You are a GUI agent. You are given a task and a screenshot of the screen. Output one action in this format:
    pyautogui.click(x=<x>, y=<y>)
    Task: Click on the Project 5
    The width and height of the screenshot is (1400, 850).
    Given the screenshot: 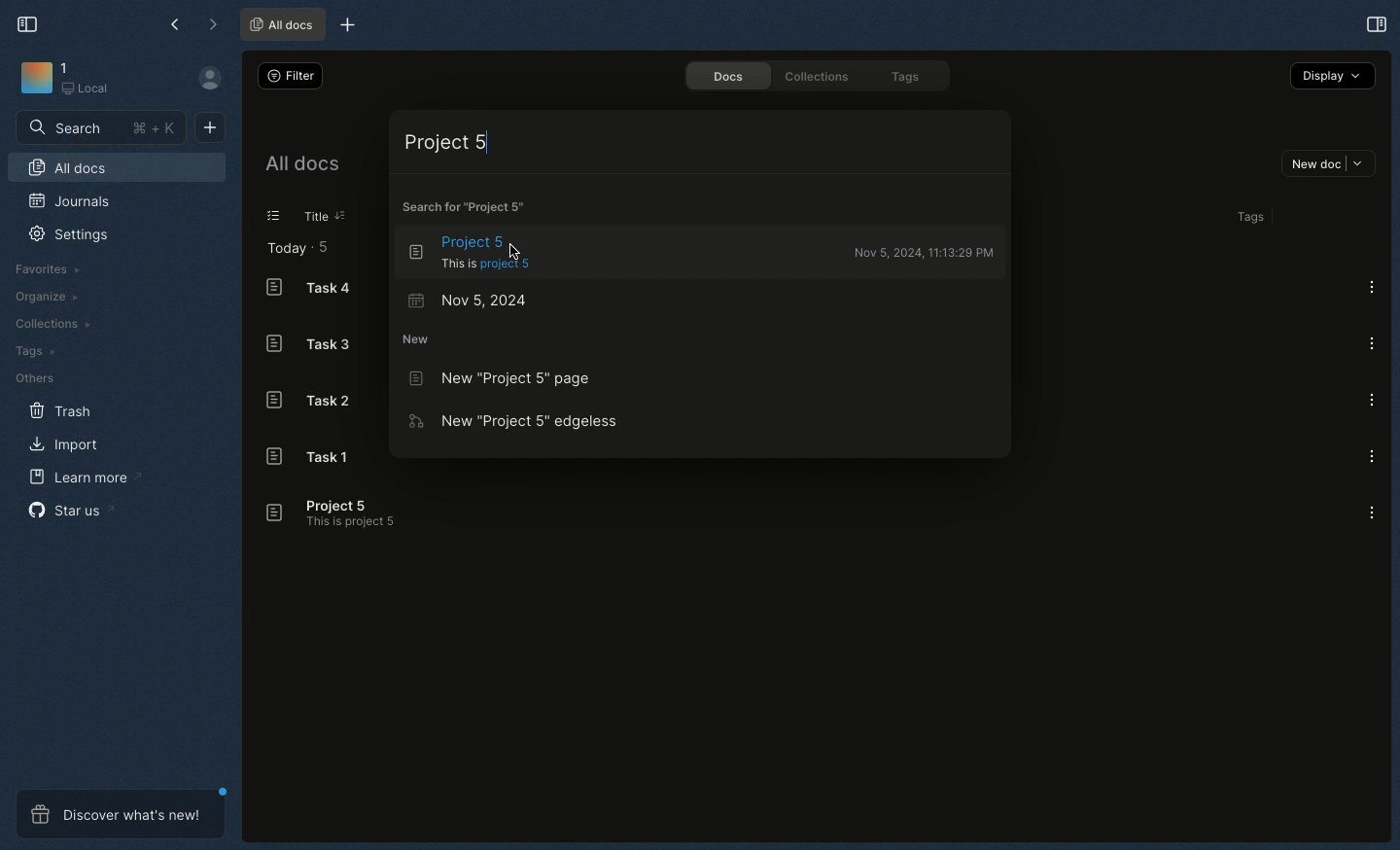 What is the action you would take?
    pyautogui.click(x=328, y=514)
    